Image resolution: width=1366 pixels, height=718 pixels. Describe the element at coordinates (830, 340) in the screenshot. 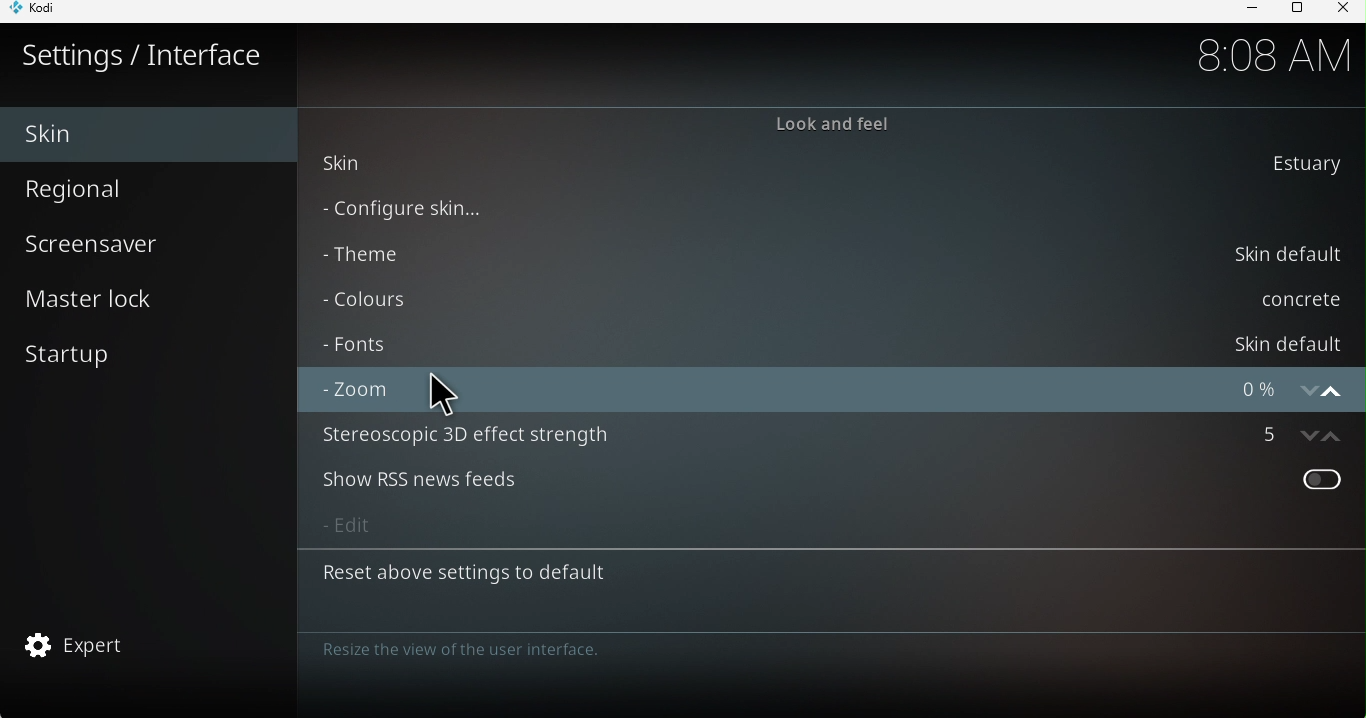

I see `Fonts` at that location.